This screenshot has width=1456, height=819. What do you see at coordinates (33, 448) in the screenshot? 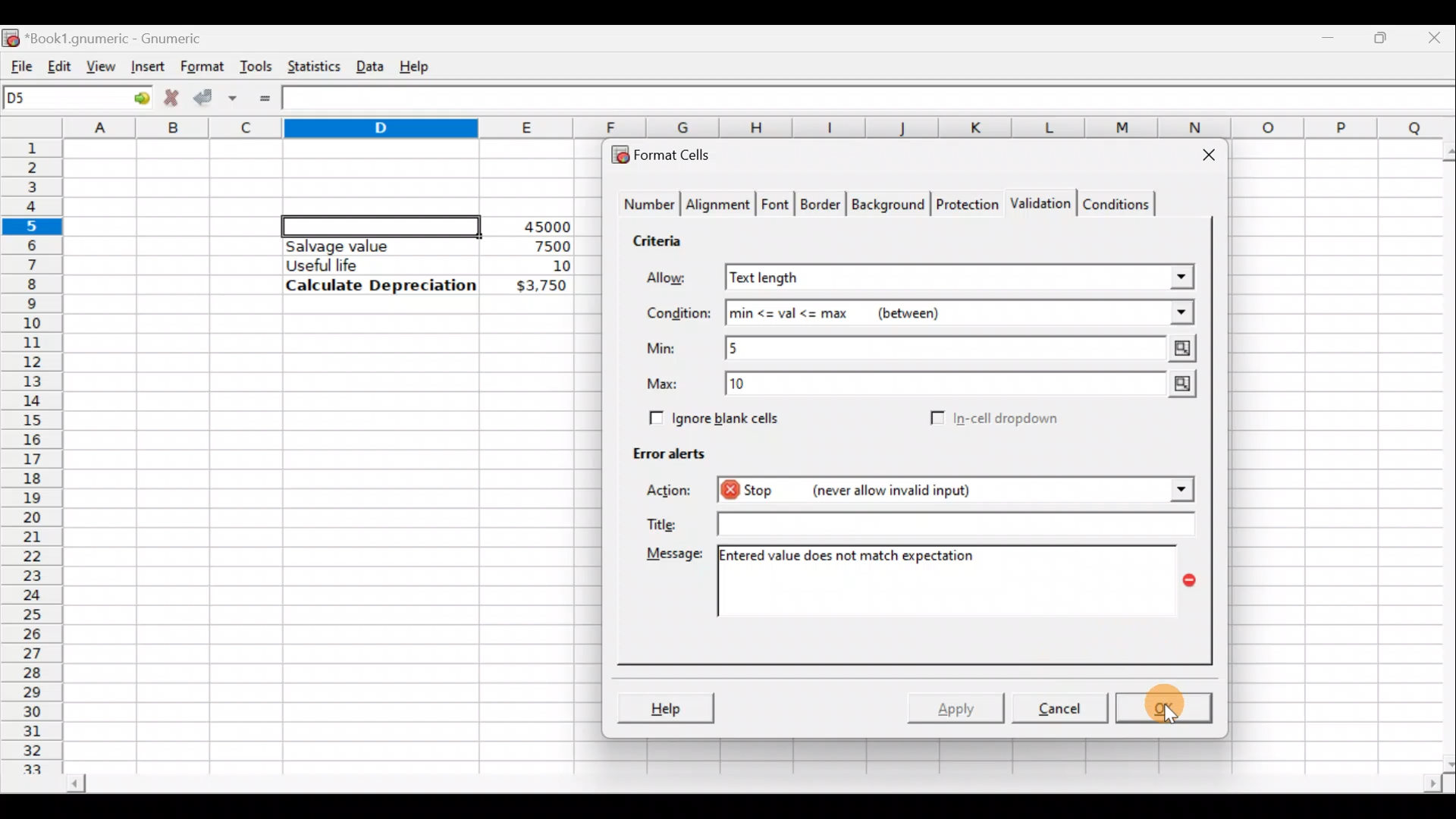
I see `Rows` at bounding box center [33, 448].